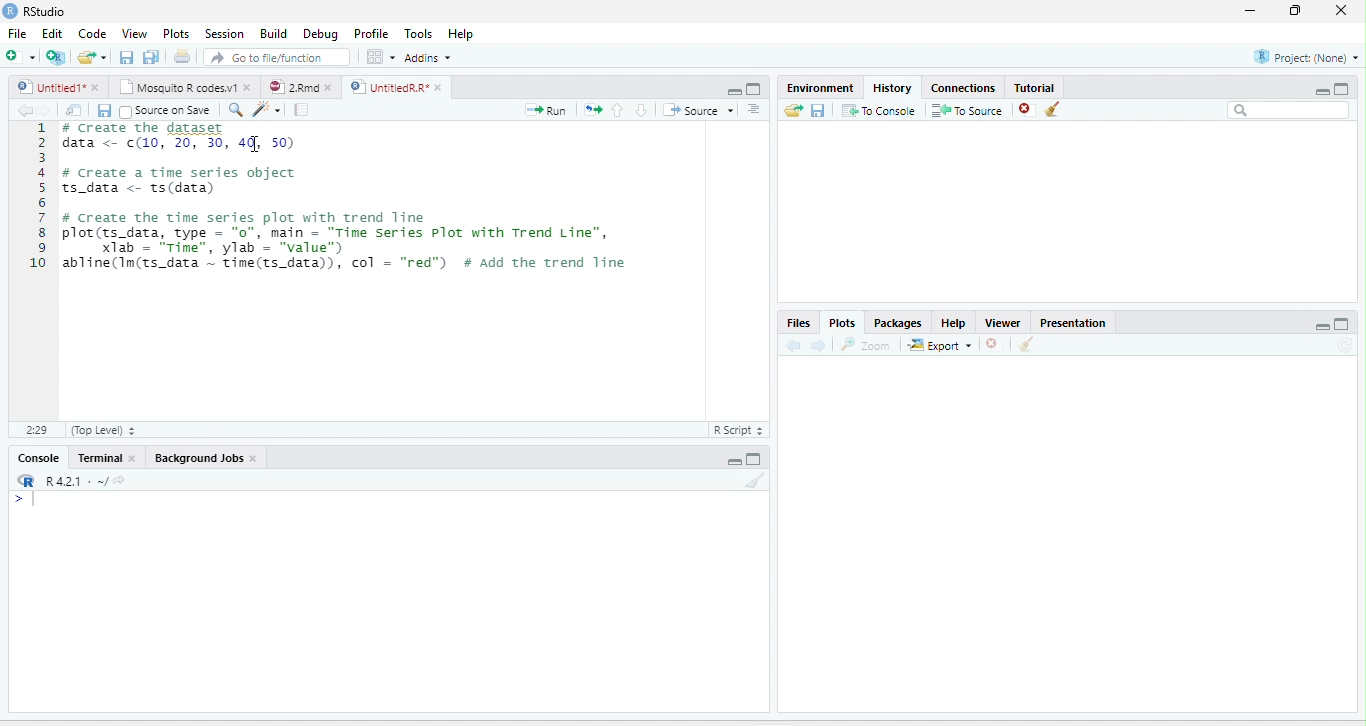 The image size is (1366, 726). Describe the element at coordinates (273, 33) in the screenshot. I see `Build` at that location.